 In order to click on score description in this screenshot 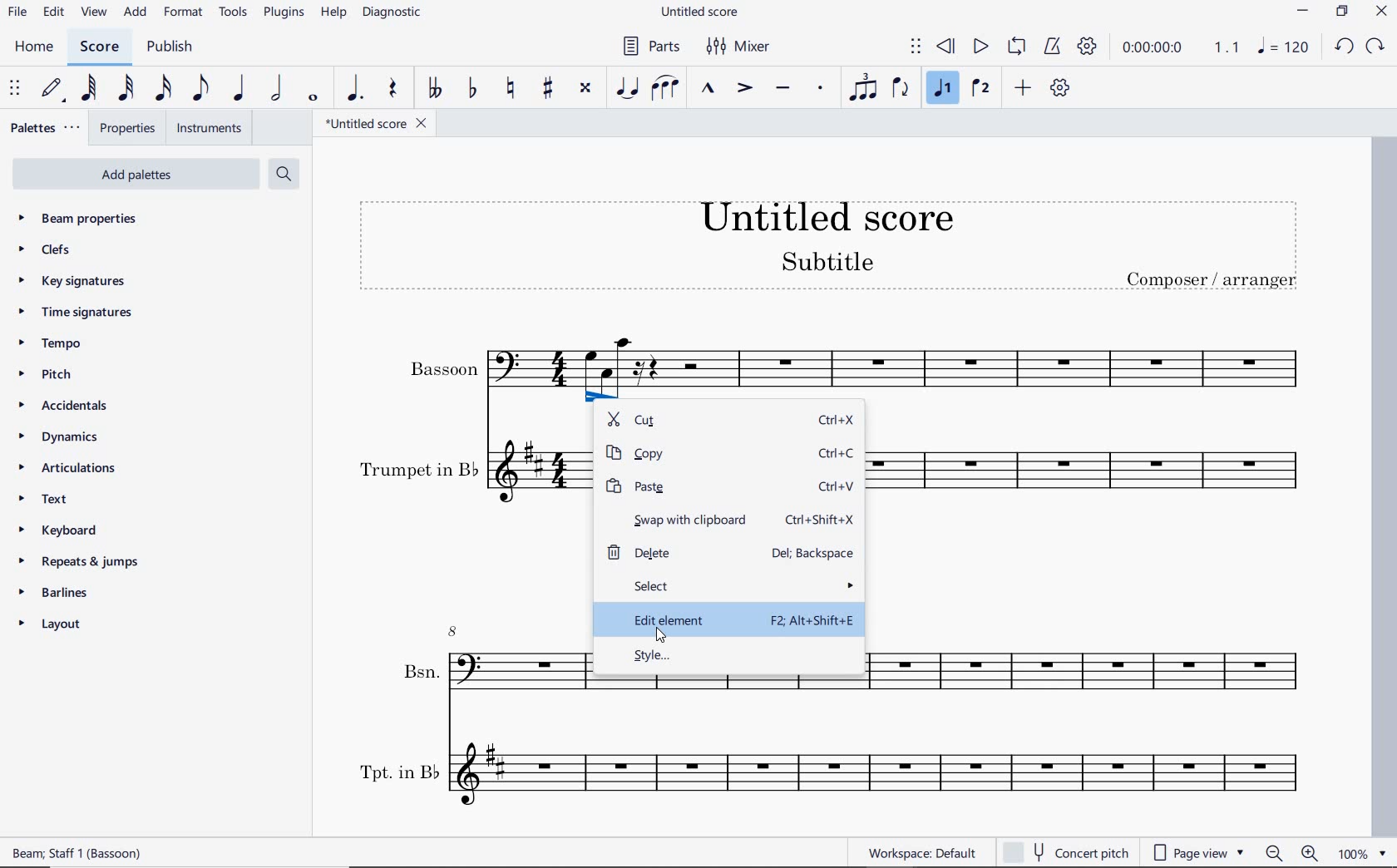, I will do `click(83, 851)`.